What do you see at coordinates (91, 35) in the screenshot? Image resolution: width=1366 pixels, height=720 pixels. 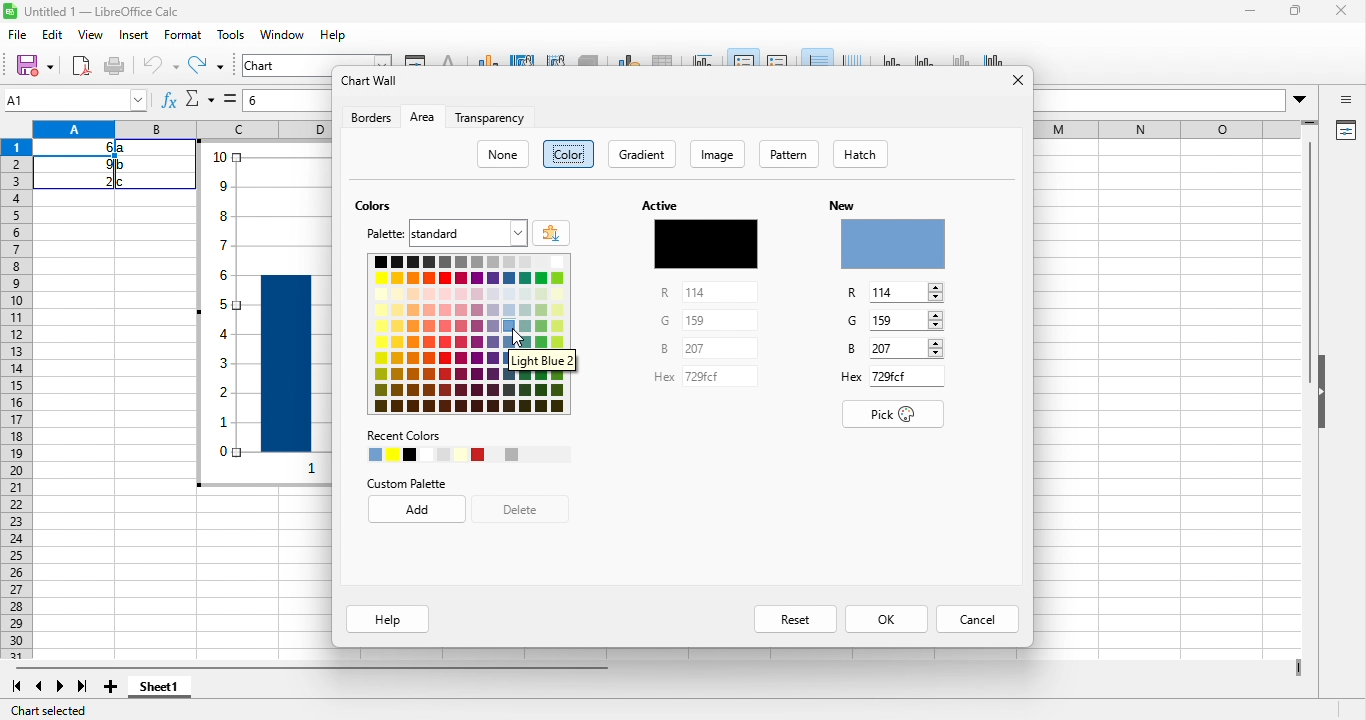 I see `view` at bounding box center [91, 35].